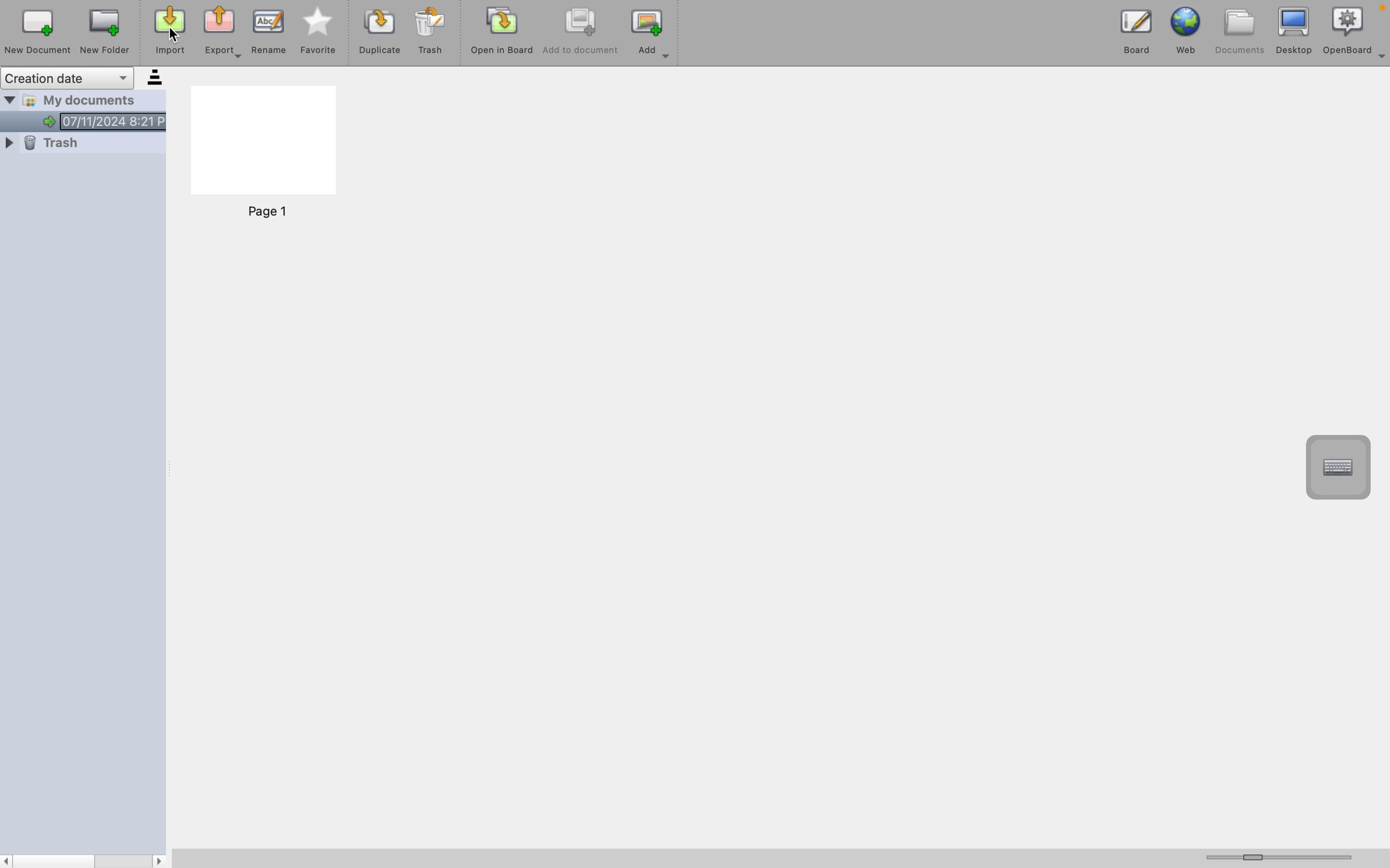 The image size is (1390, 868). I want to click on horizontal scroll, so click(1285, 857).